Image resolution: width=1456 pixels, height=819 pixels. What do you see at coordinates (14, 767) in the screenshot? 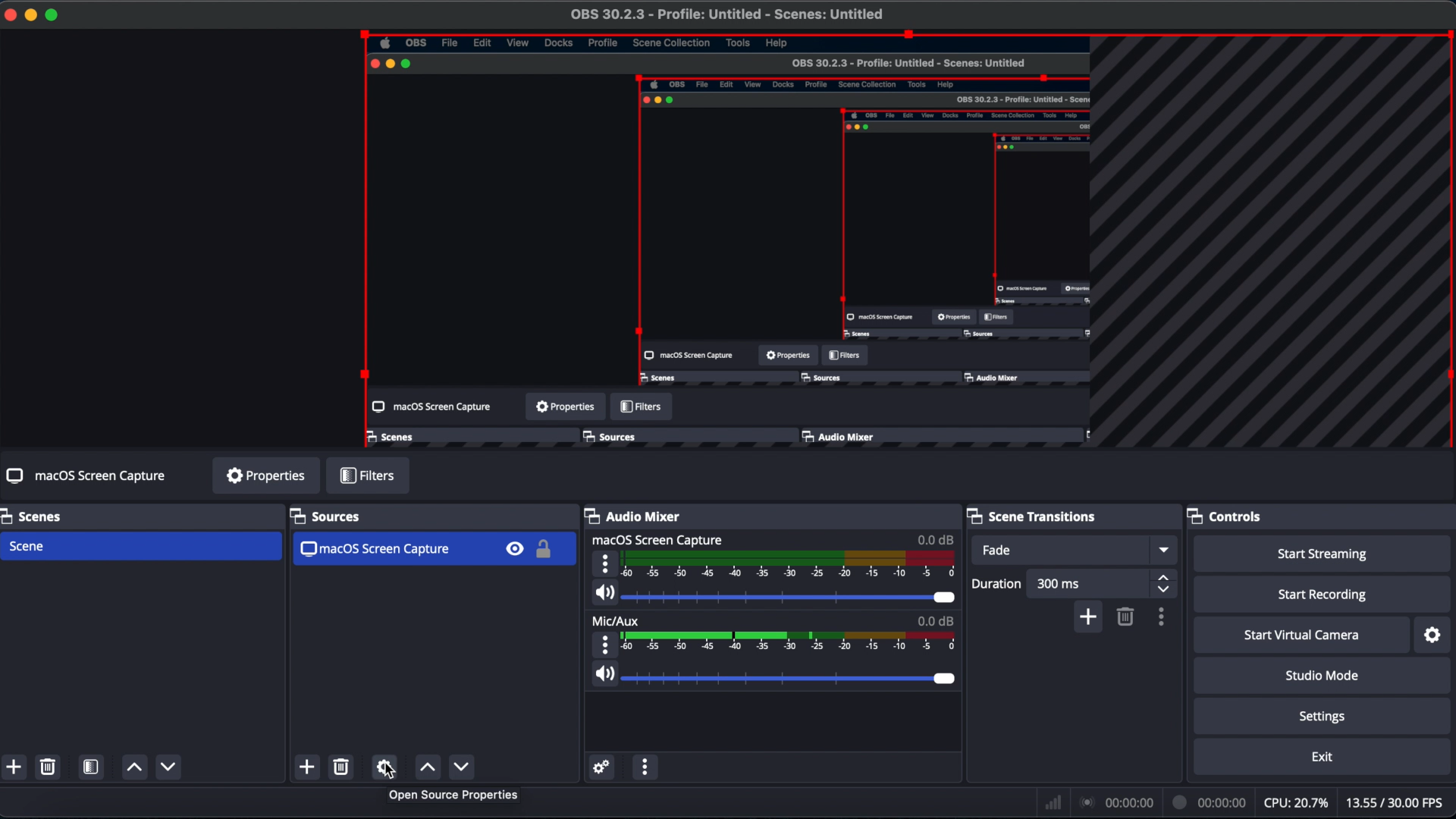
I see `add scene` at bounding box center [14, 767].